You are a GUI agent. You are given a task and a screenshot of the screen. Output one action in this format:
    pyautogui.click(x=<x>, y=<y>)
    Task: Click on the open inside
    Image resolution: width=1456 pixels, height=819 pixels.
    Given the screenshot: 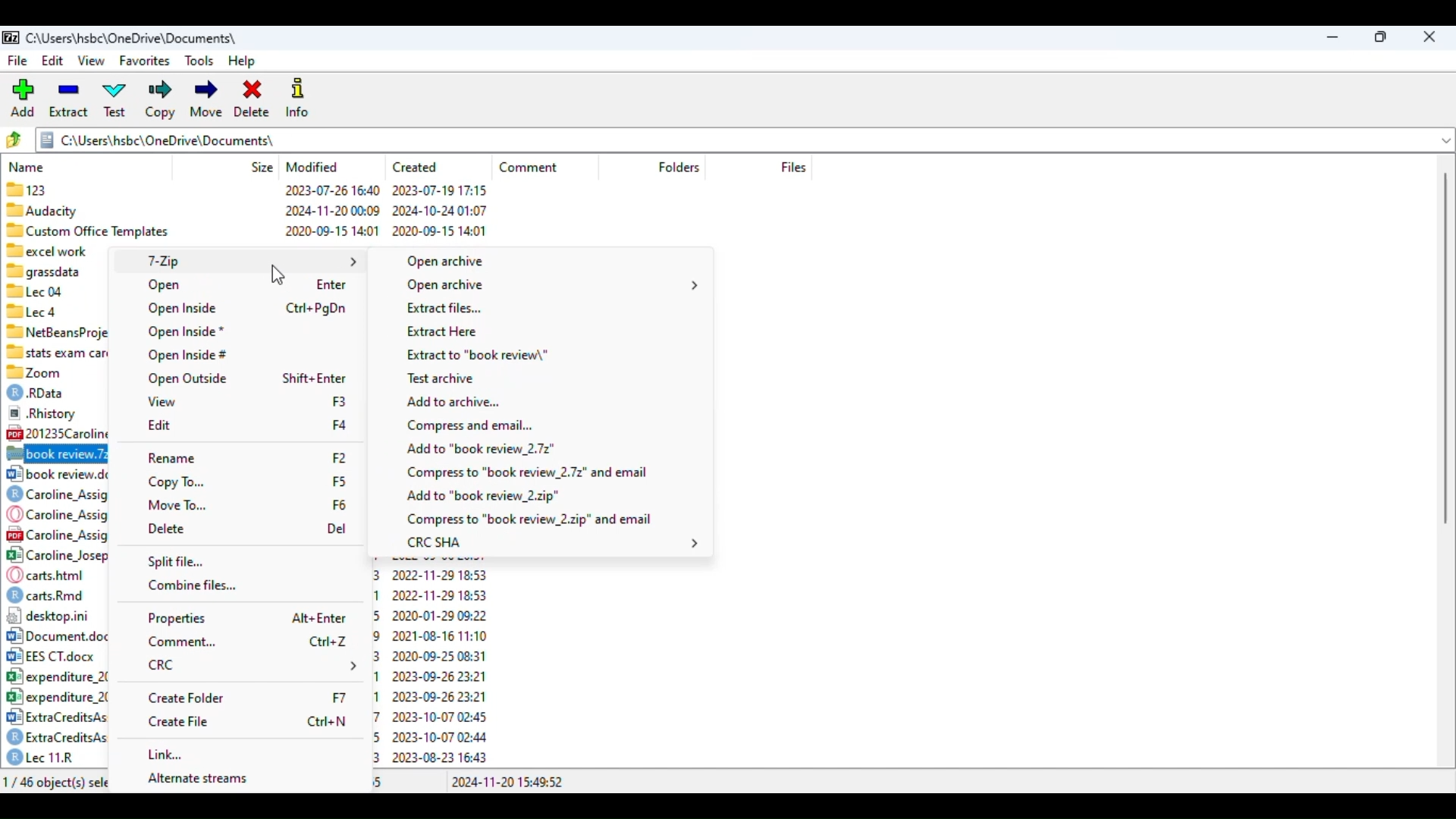 What is the action you would take?
    pyautogui.click(x=183, y=309)
    